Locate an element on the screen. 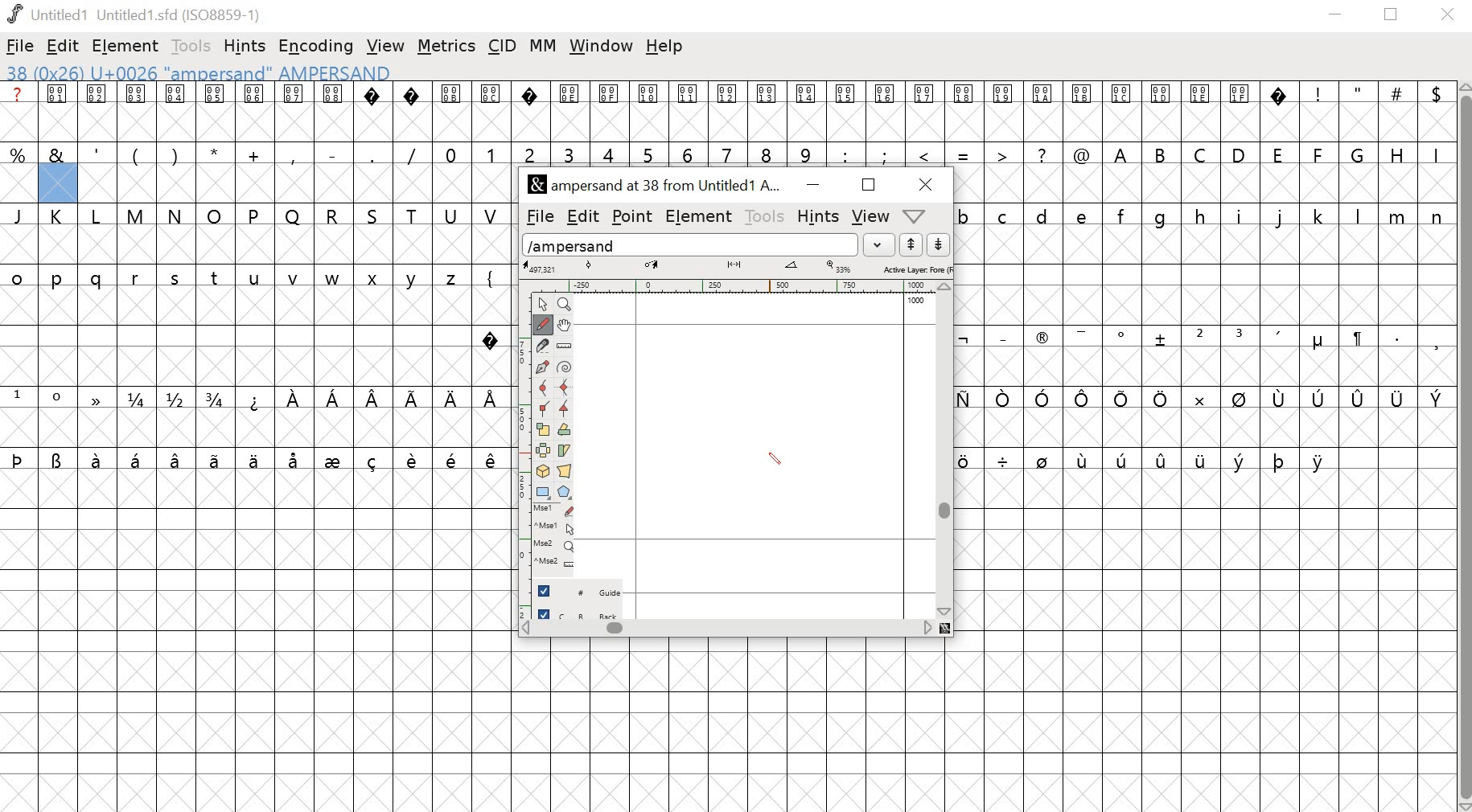 The height and width of the screenshot is (812, 1472). : is located at coordinates (844, 154).